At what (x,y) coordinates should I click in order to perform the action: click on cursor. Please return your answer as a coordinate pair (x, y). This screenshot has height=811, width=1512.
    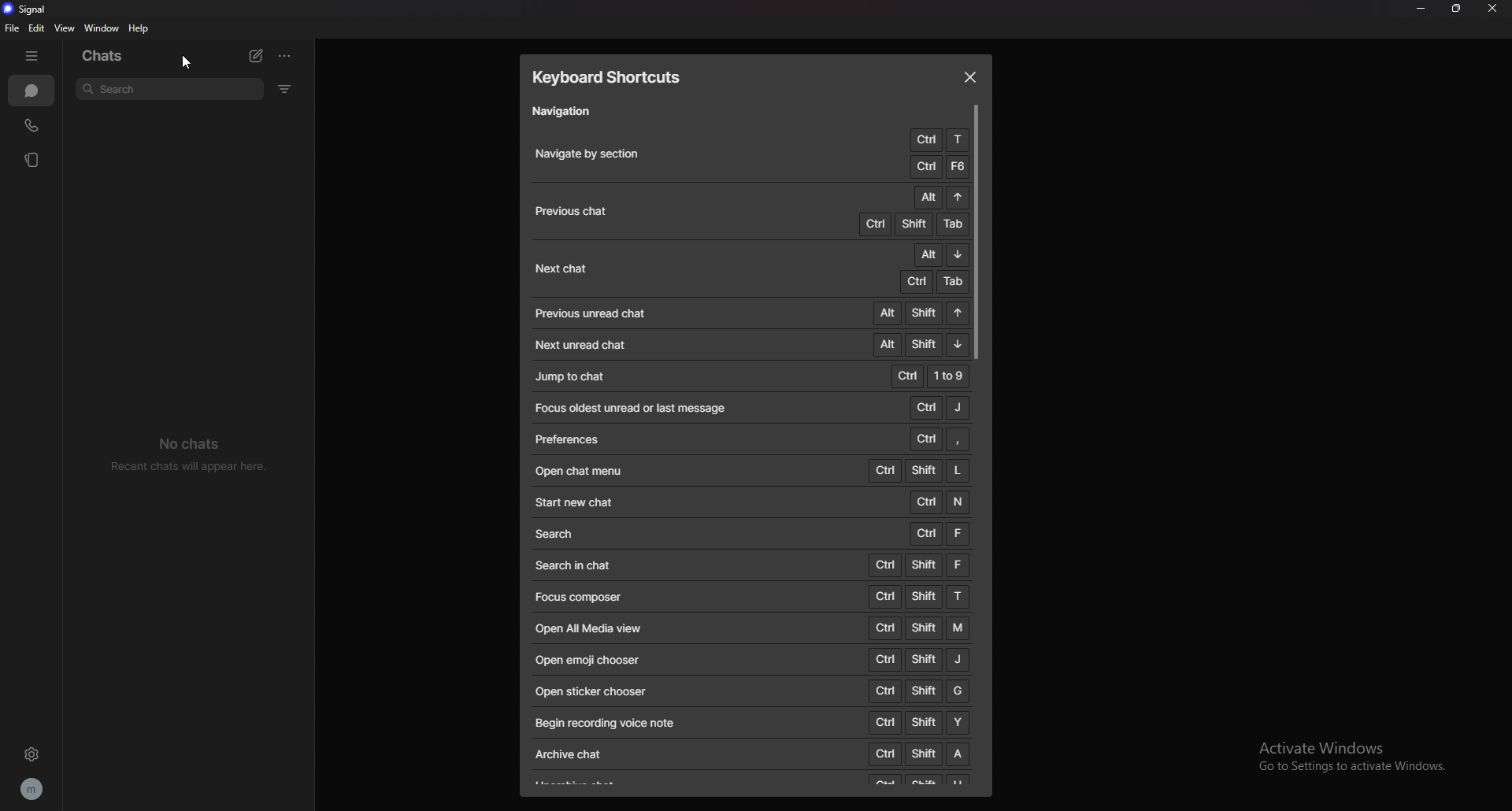
    Looking at the image, I should click on (187, 63).